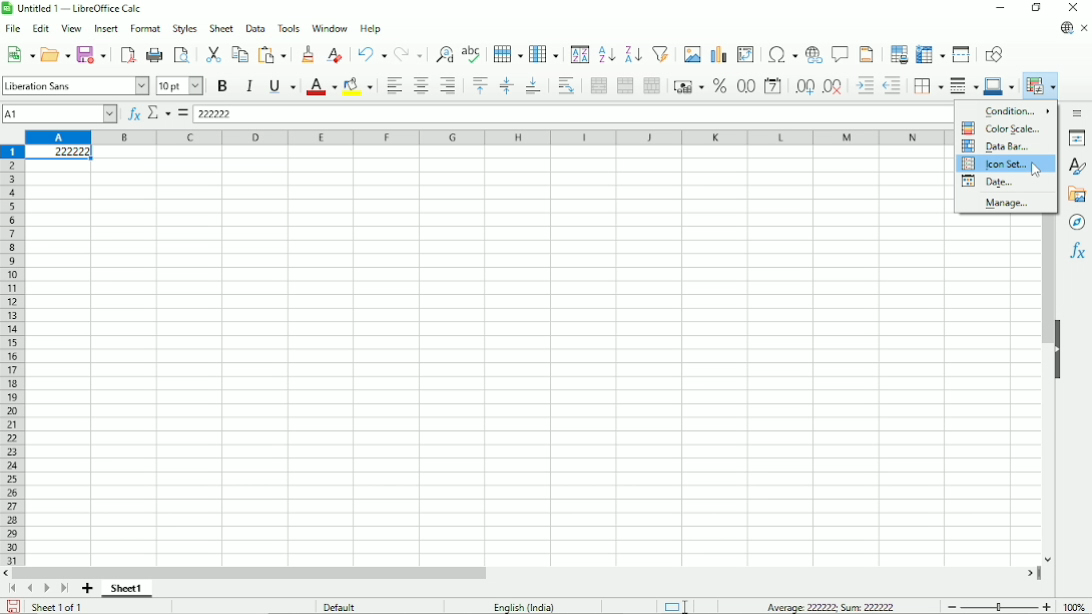  I want to click on Icon set, so click(997, 164).